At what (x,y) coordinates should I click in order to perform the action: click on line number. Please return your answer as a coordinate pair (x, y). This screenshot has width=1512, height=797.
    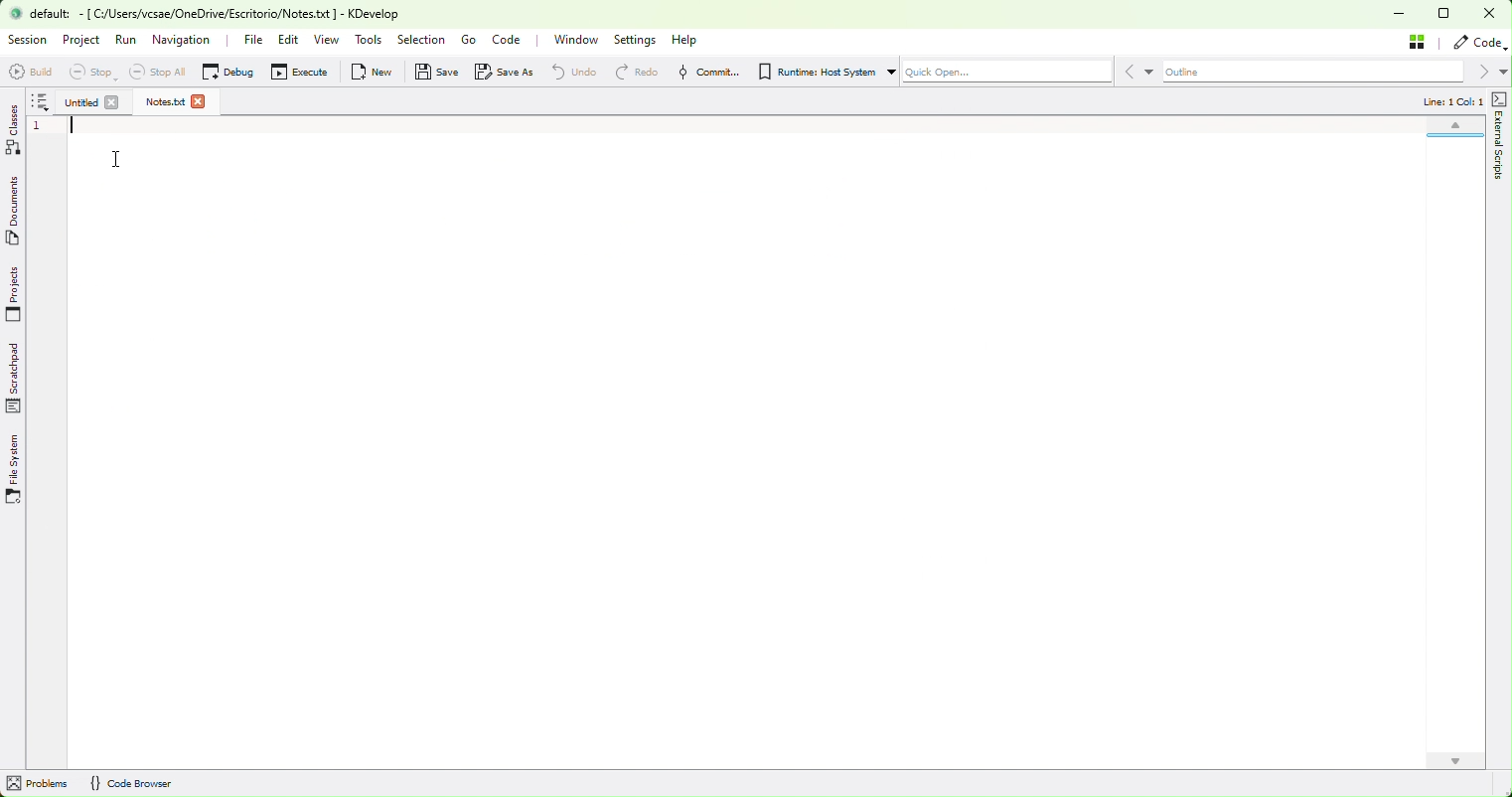
    Looking at the image, I should click on (41, 128).